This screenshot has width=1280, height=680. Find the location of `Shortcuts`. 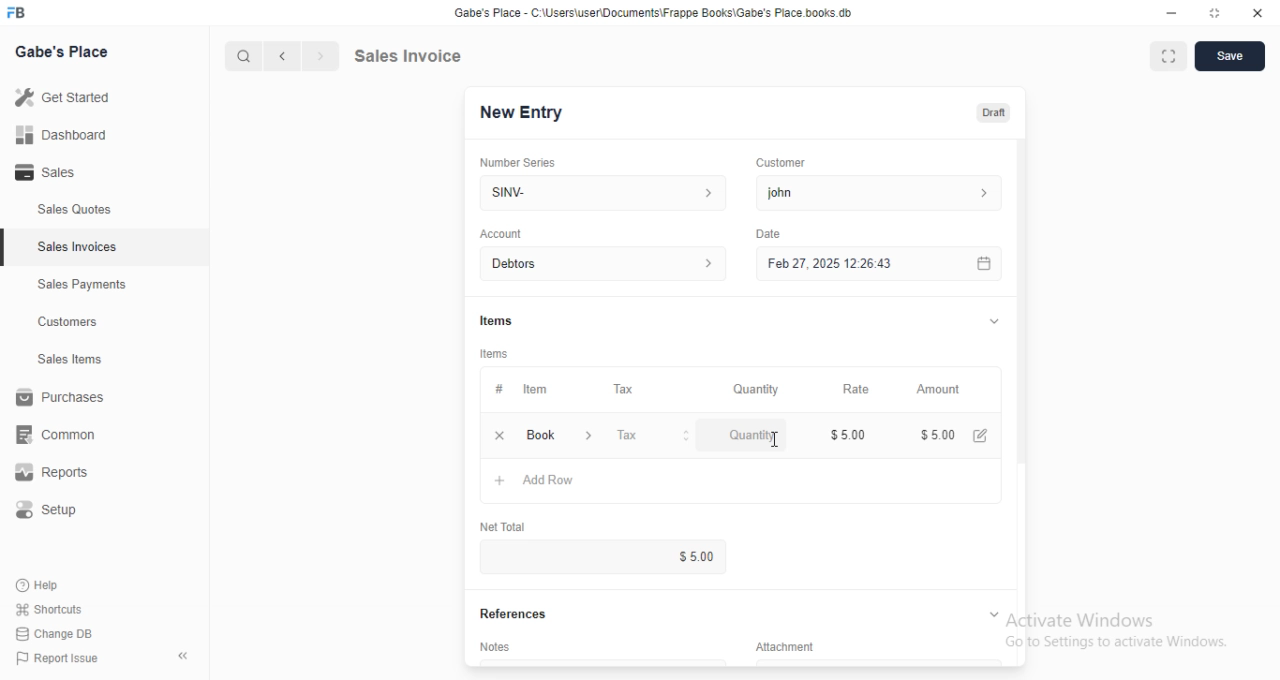

Shortcuts is located at coordinates (50, 610).